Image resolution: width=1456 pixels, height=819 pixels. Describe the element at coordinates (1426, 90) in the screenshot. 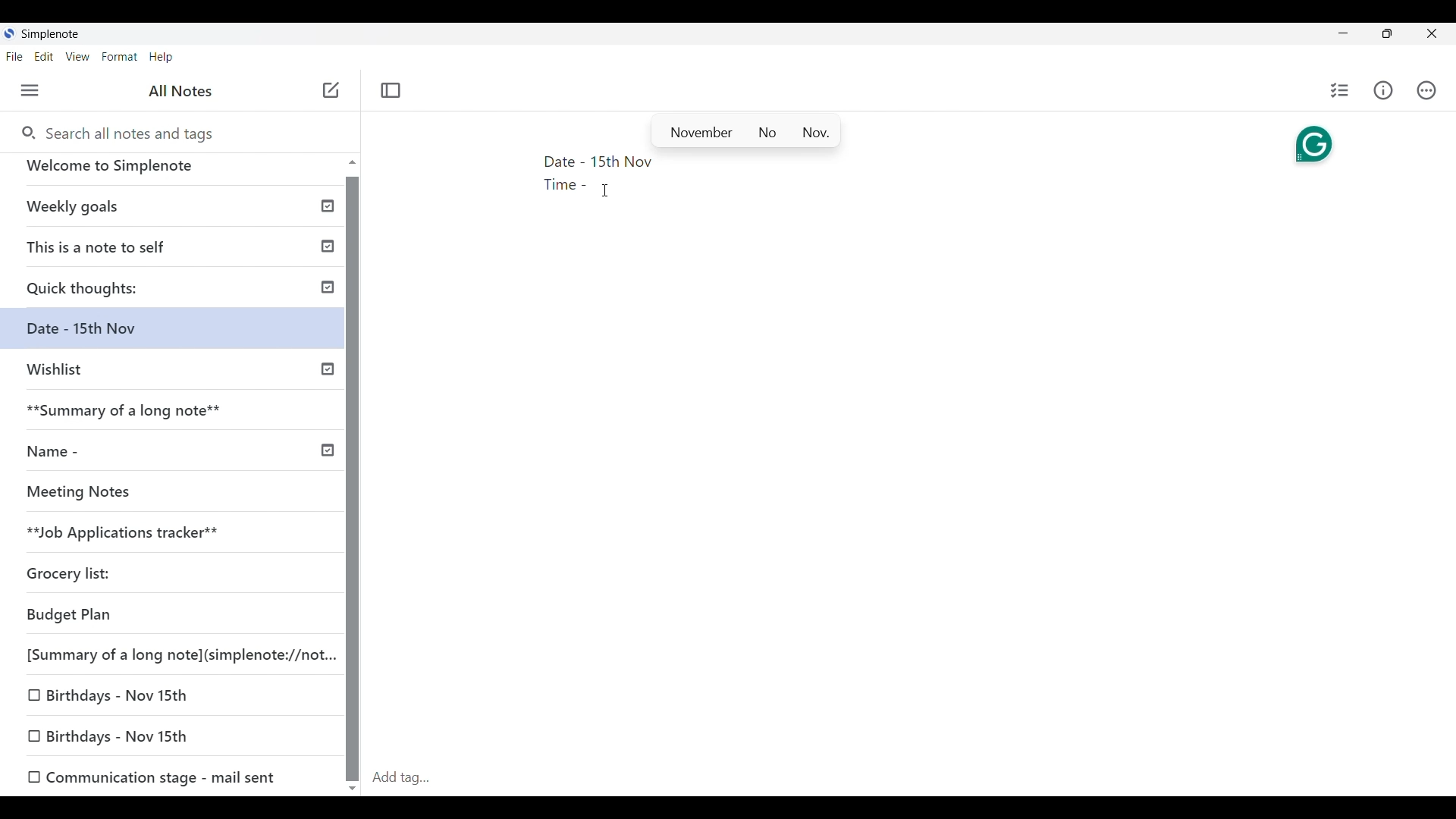

I see `Actions` at that location.